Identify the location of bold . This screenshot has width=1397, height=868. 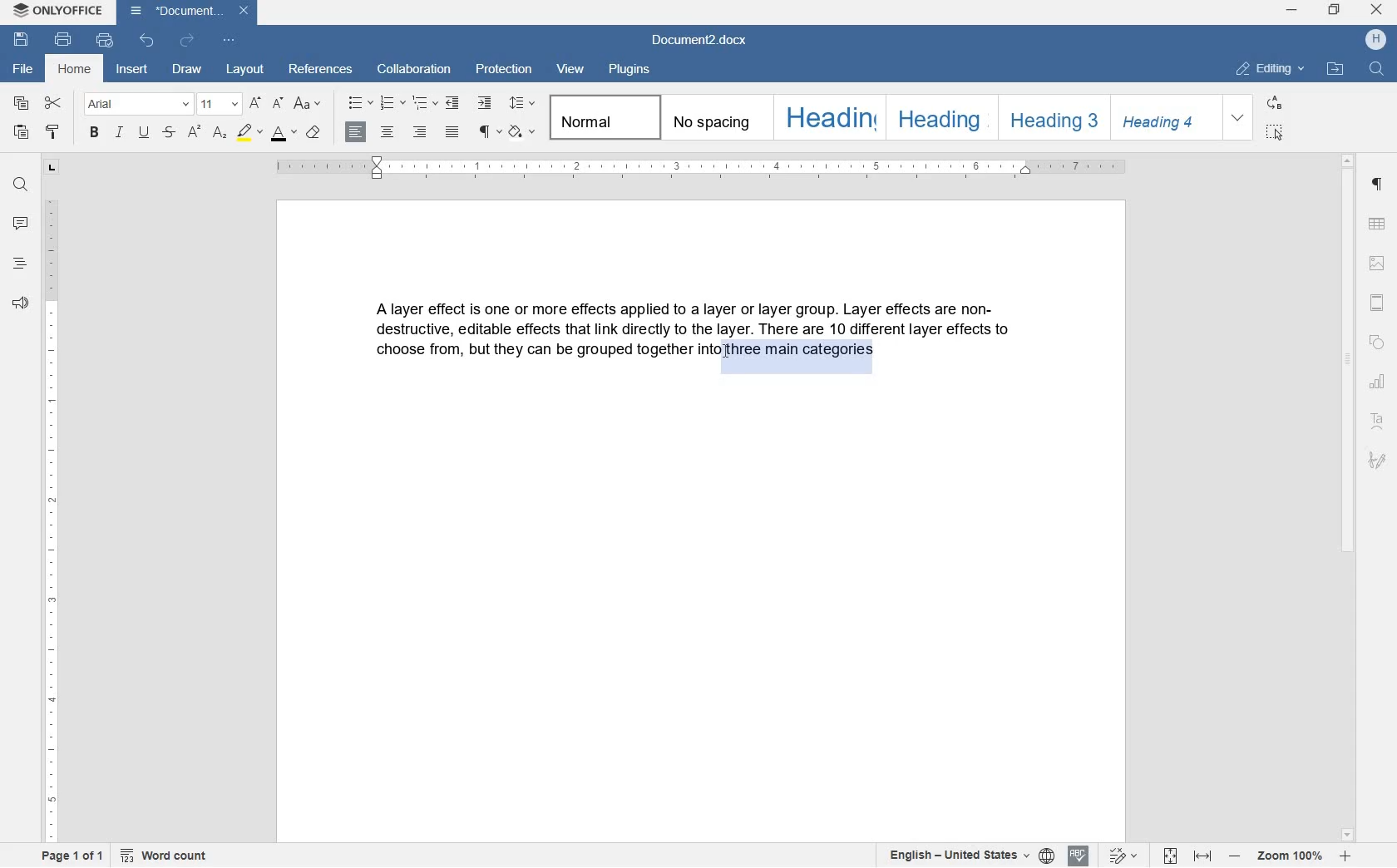
(95, 132).